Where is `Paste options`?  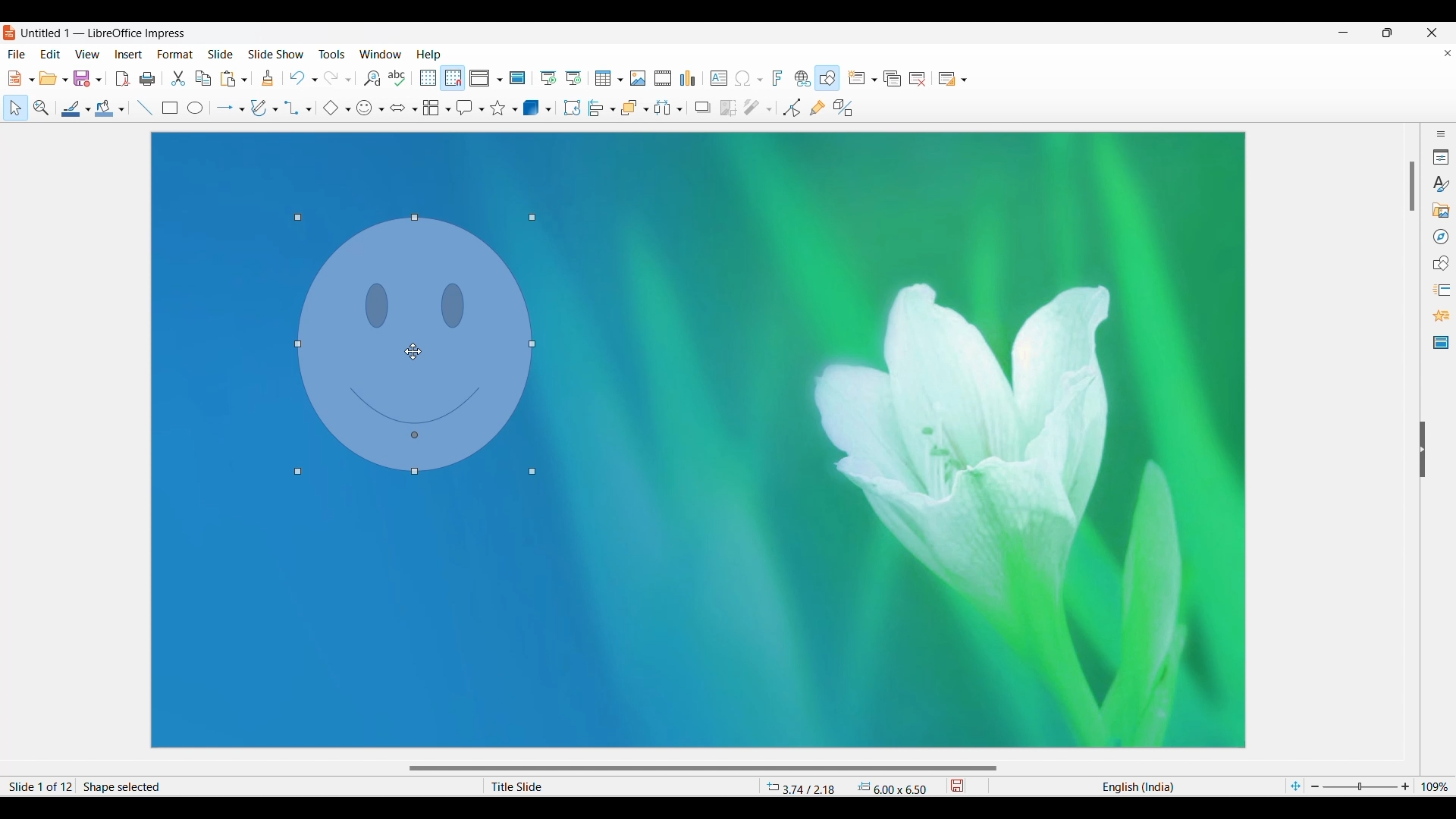
Paste options is located at coordinates (244, 80).